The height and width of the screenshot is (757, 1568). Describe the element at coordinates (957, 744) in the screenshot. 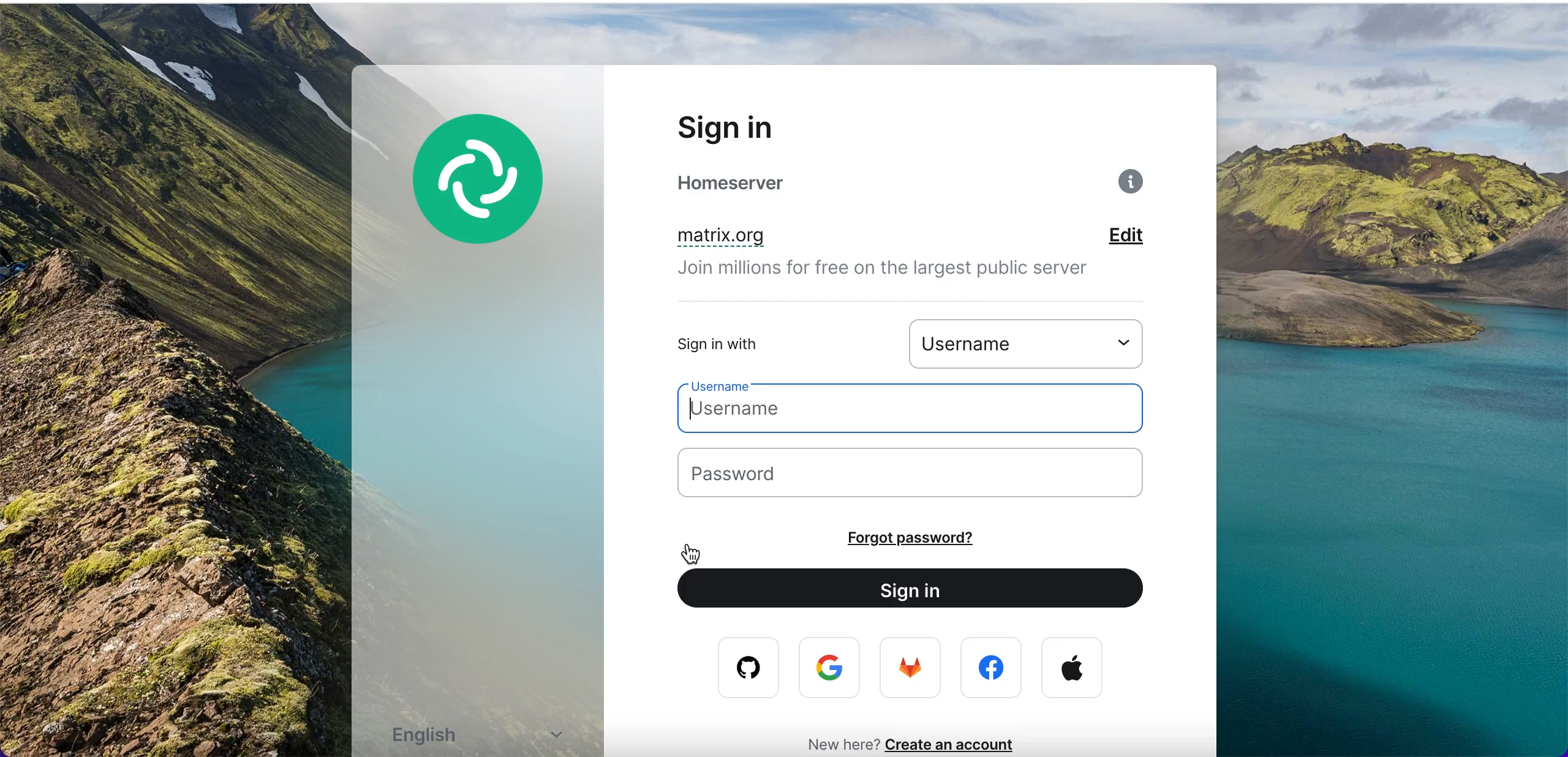

I see `create an account` at that location.